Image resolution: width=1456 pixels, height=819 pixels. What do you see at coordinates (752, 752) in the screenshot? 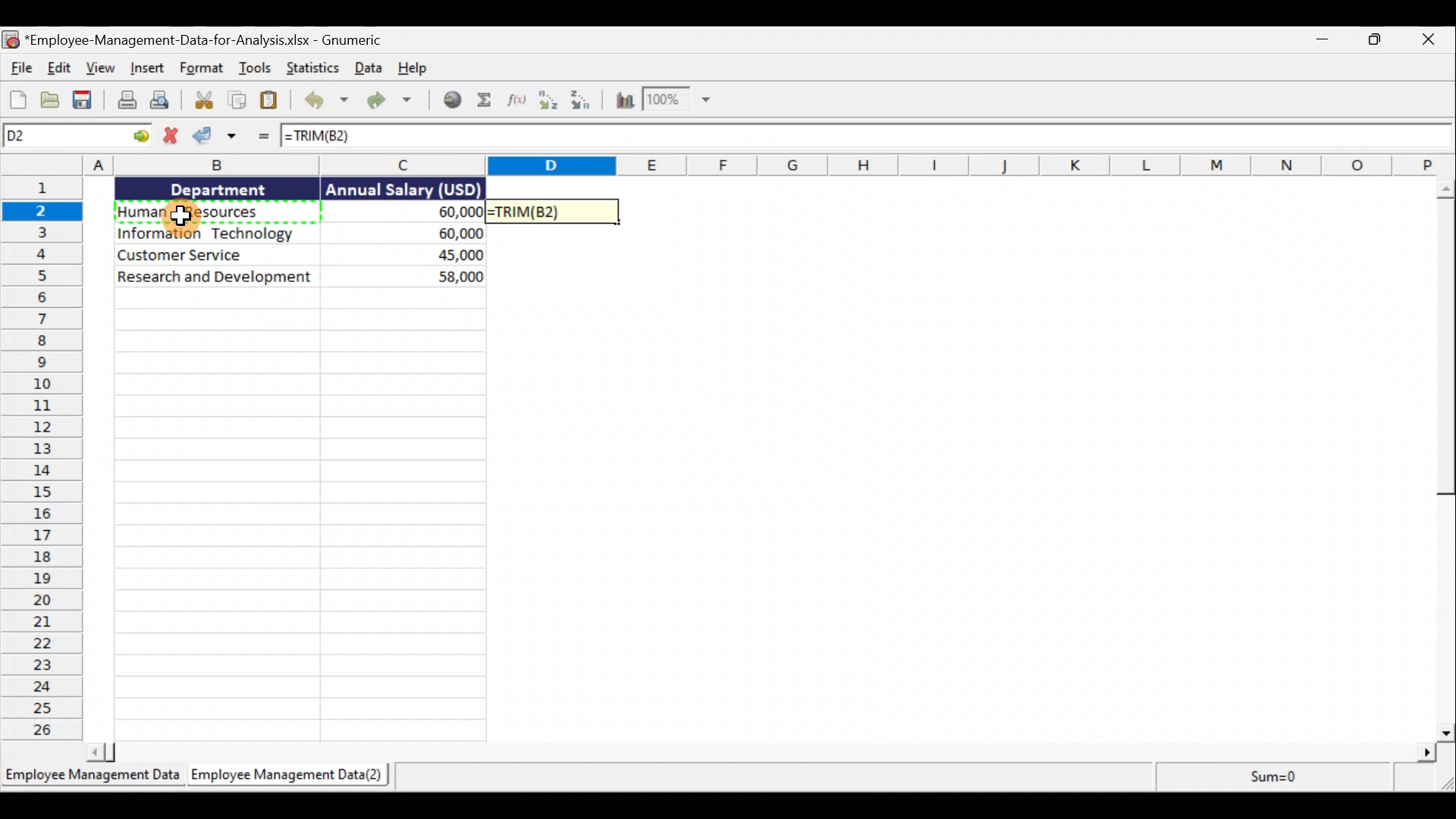
I see `scroll bar` at bounding box center [752, 752].